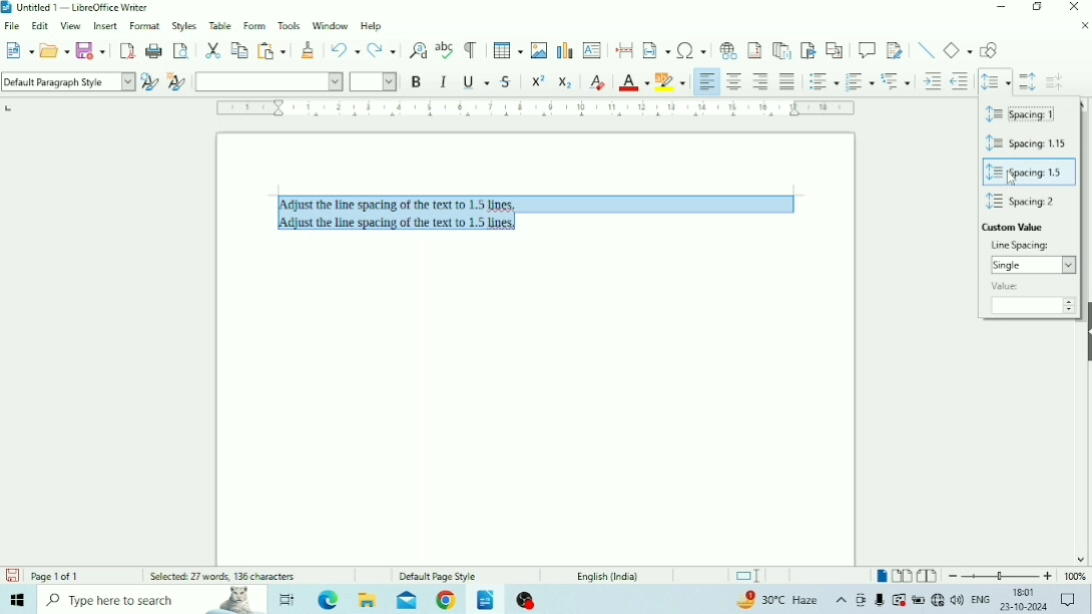 This screenshot has width=1092, height=614. Describe the element at coordinates (176, 79) in the screenshot. I see `New Style for Selection` at that location.